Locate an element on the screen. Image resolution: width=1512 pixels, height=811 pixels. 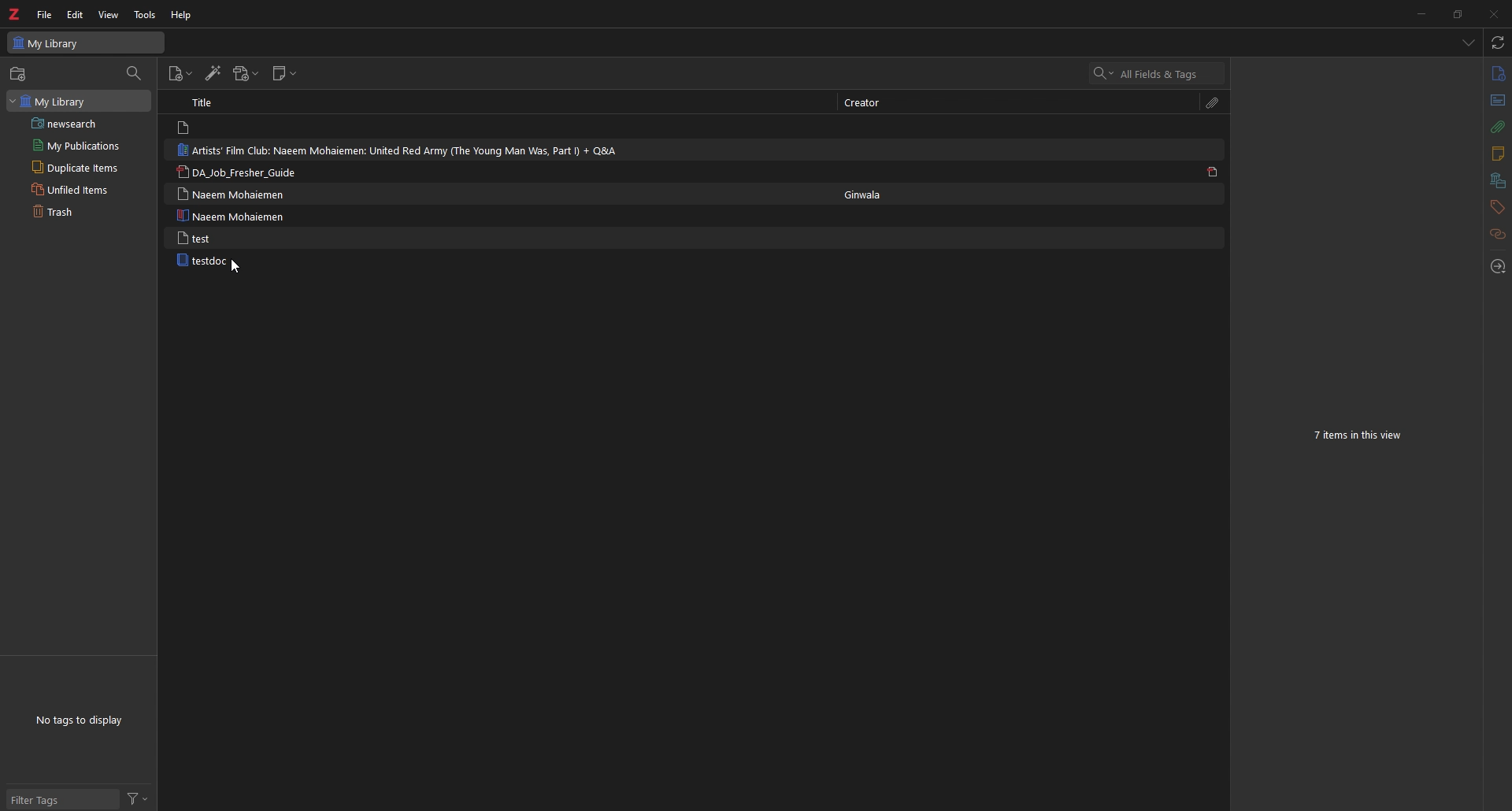
new collection is located at coordinates (20, 74).